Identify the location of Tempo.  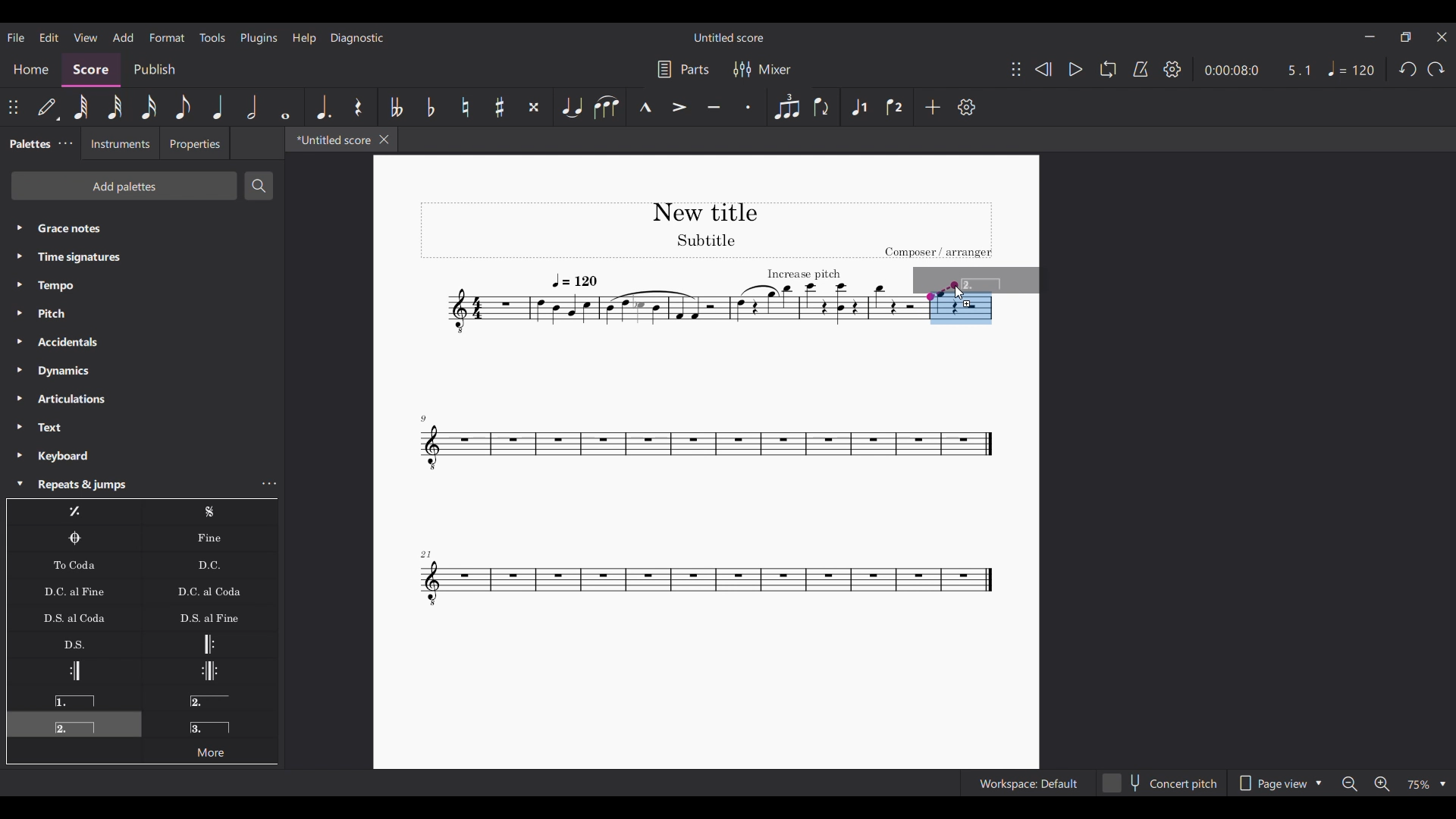
(1351, 69).